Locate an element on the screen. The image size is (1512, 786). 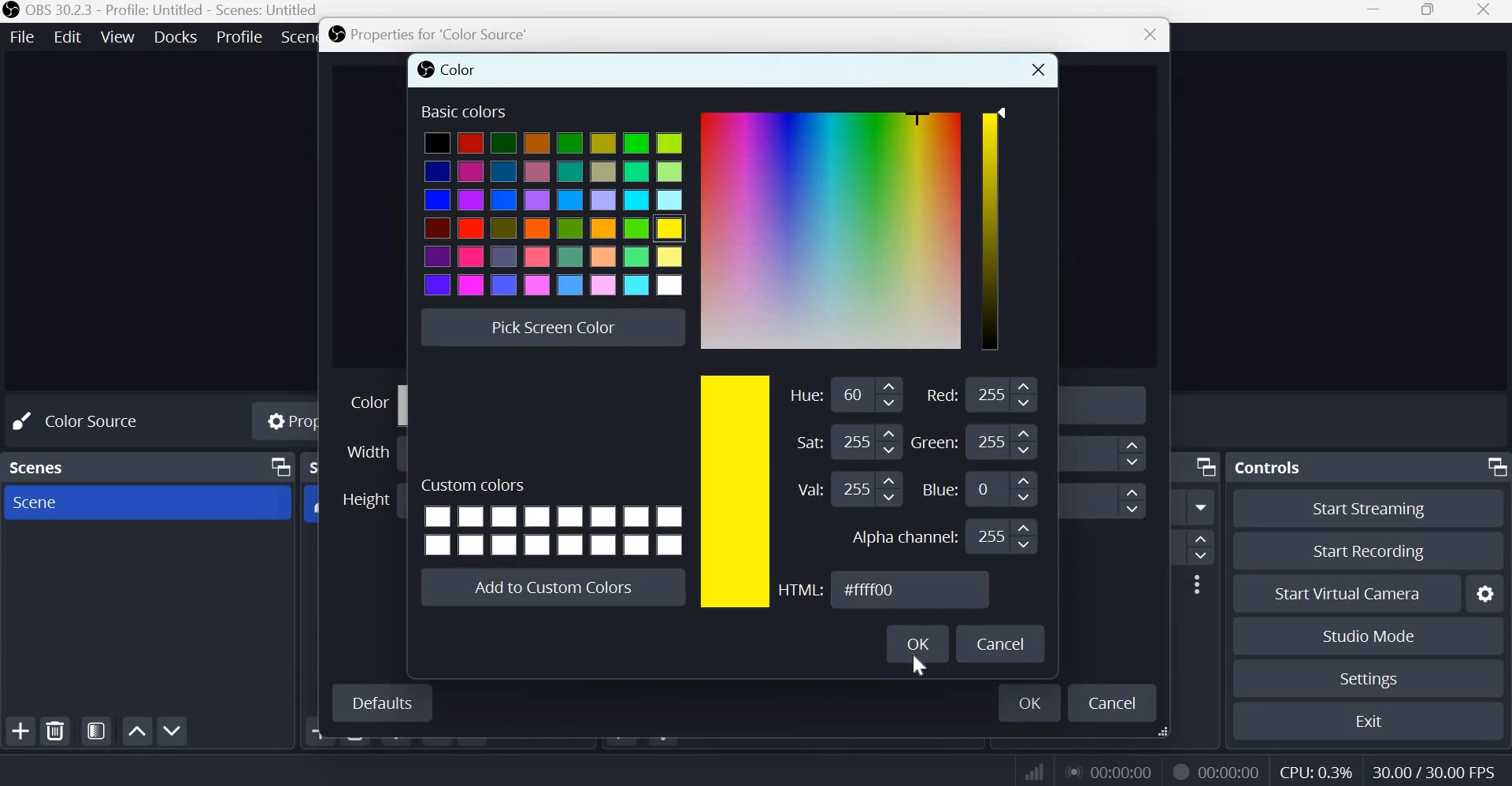
Value:  is located at coordinates (809, 488).